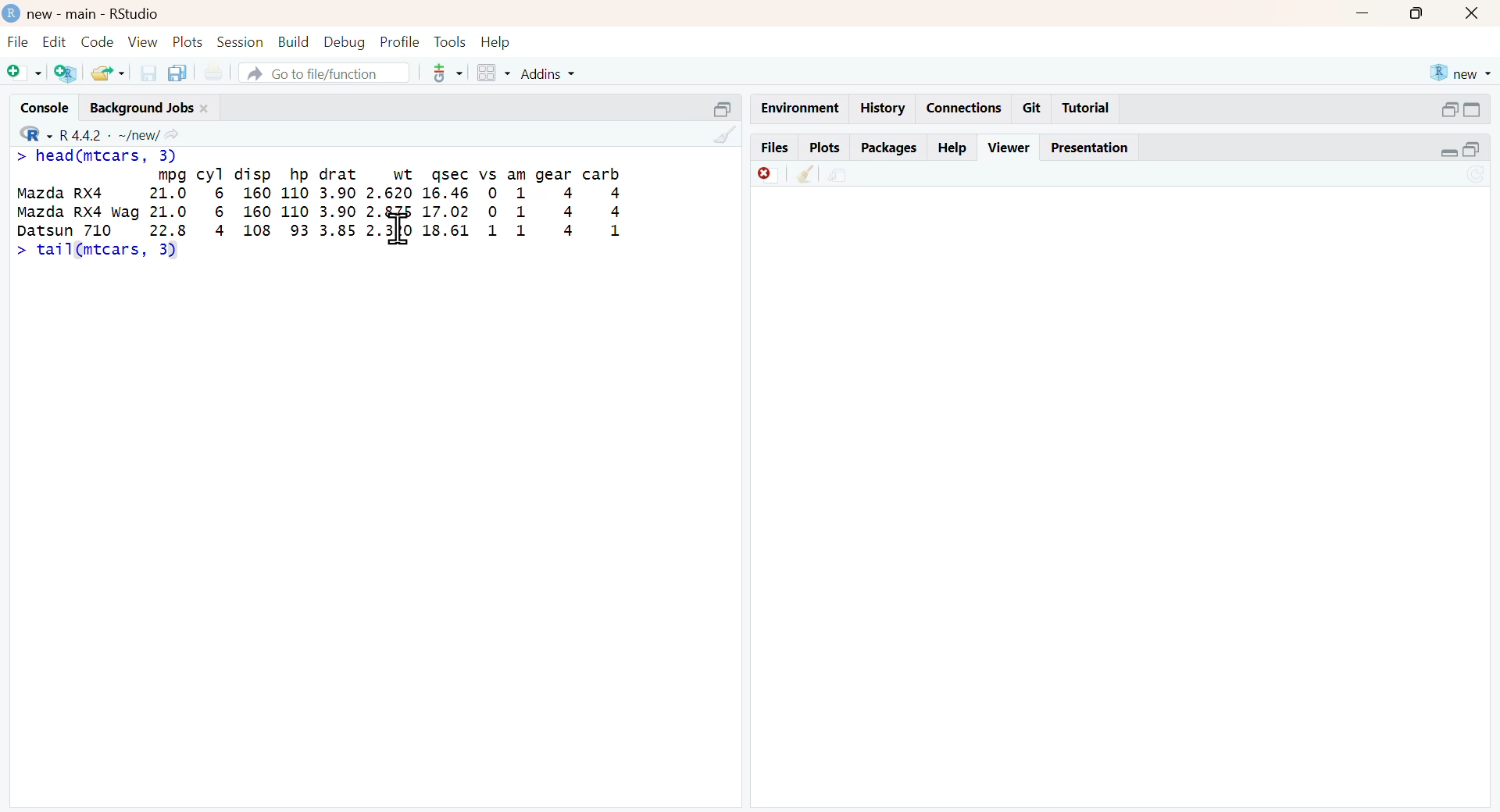  I want to click on History, so click(883, 108).